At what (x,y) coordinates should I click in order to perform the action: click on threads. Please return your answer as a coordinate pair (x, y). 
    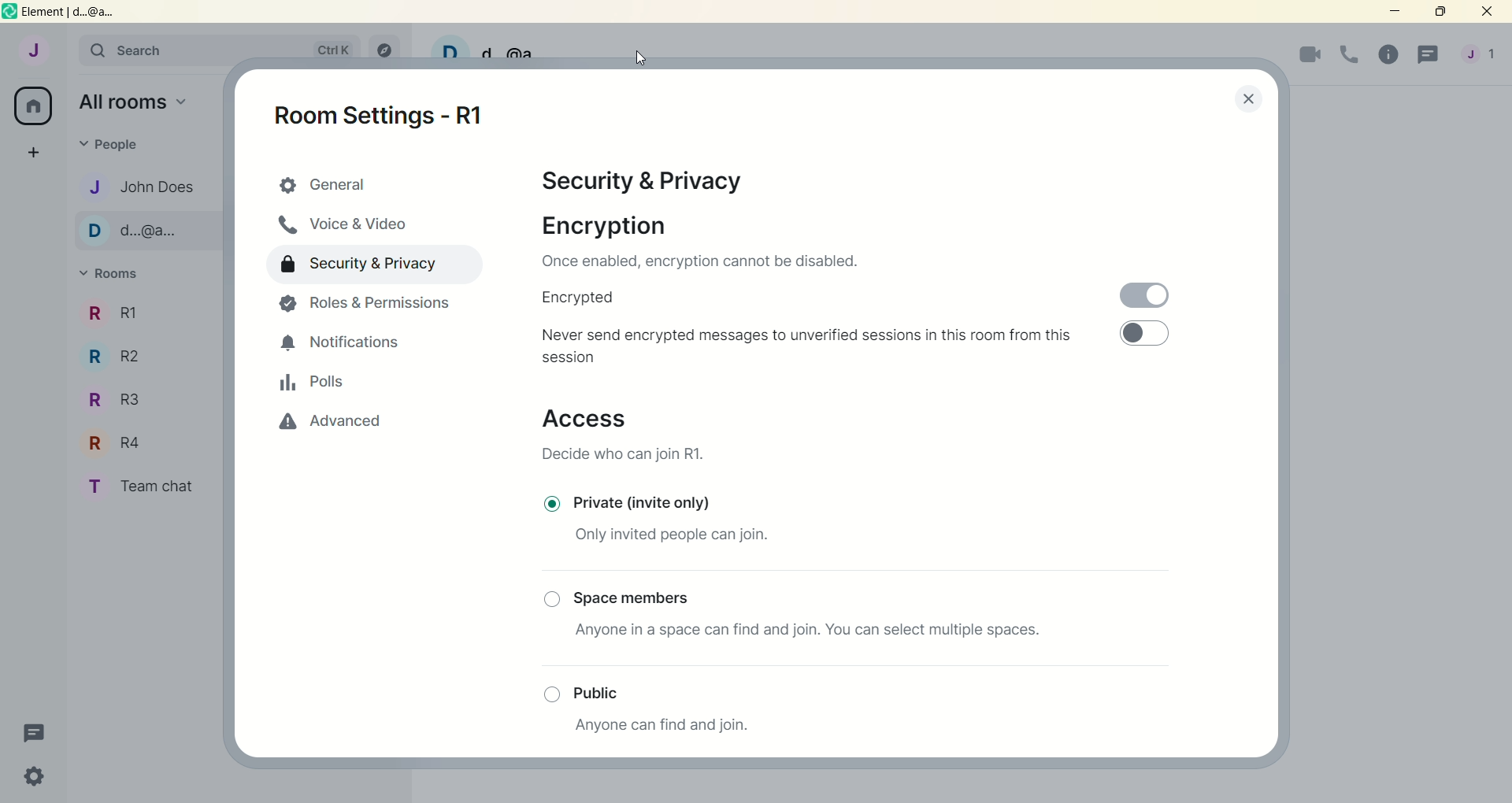
    Looking at the image, I should click on (29, 731).